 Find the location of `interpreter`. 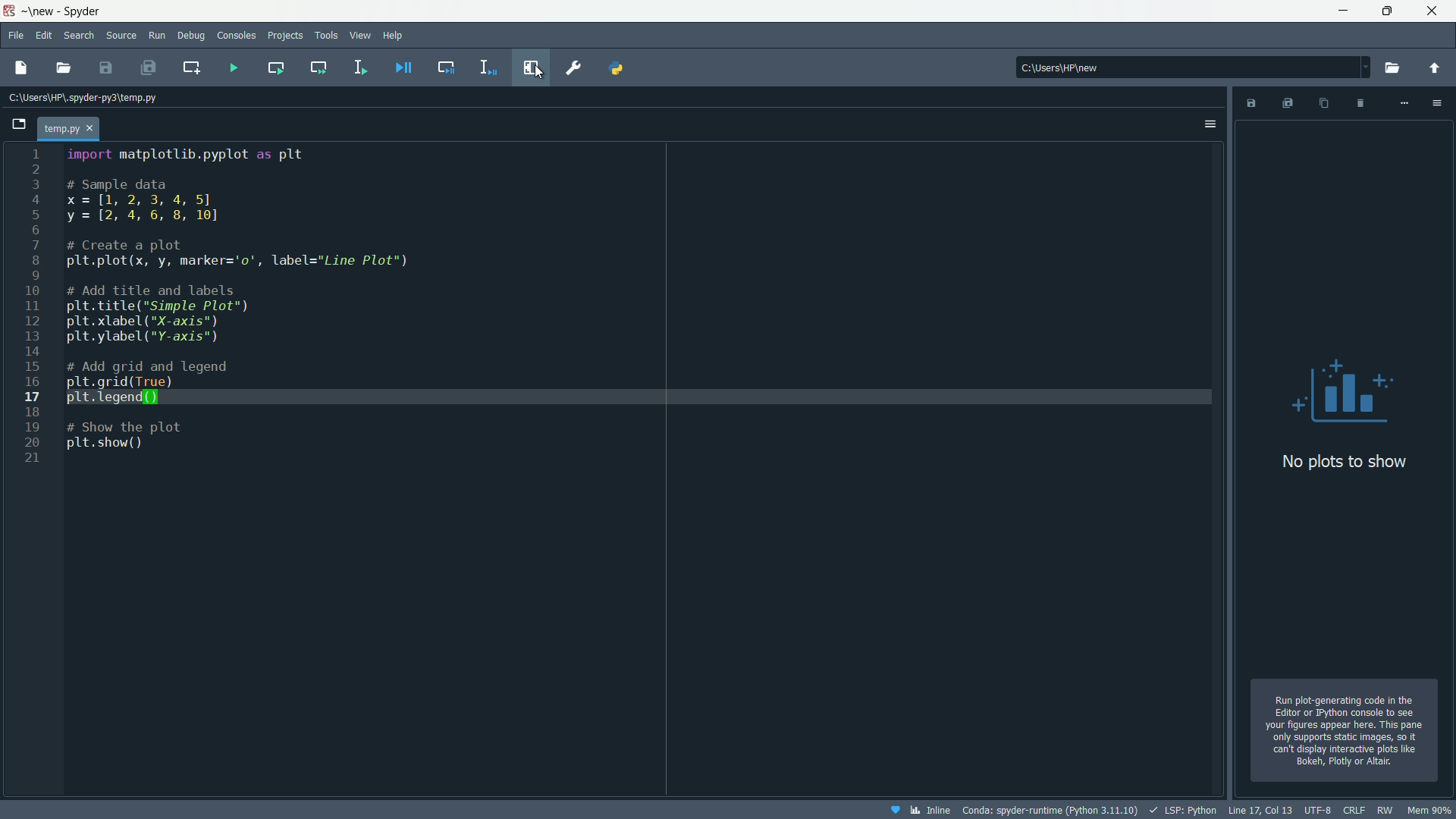

interpreter is located at coordinates (1048, 811).